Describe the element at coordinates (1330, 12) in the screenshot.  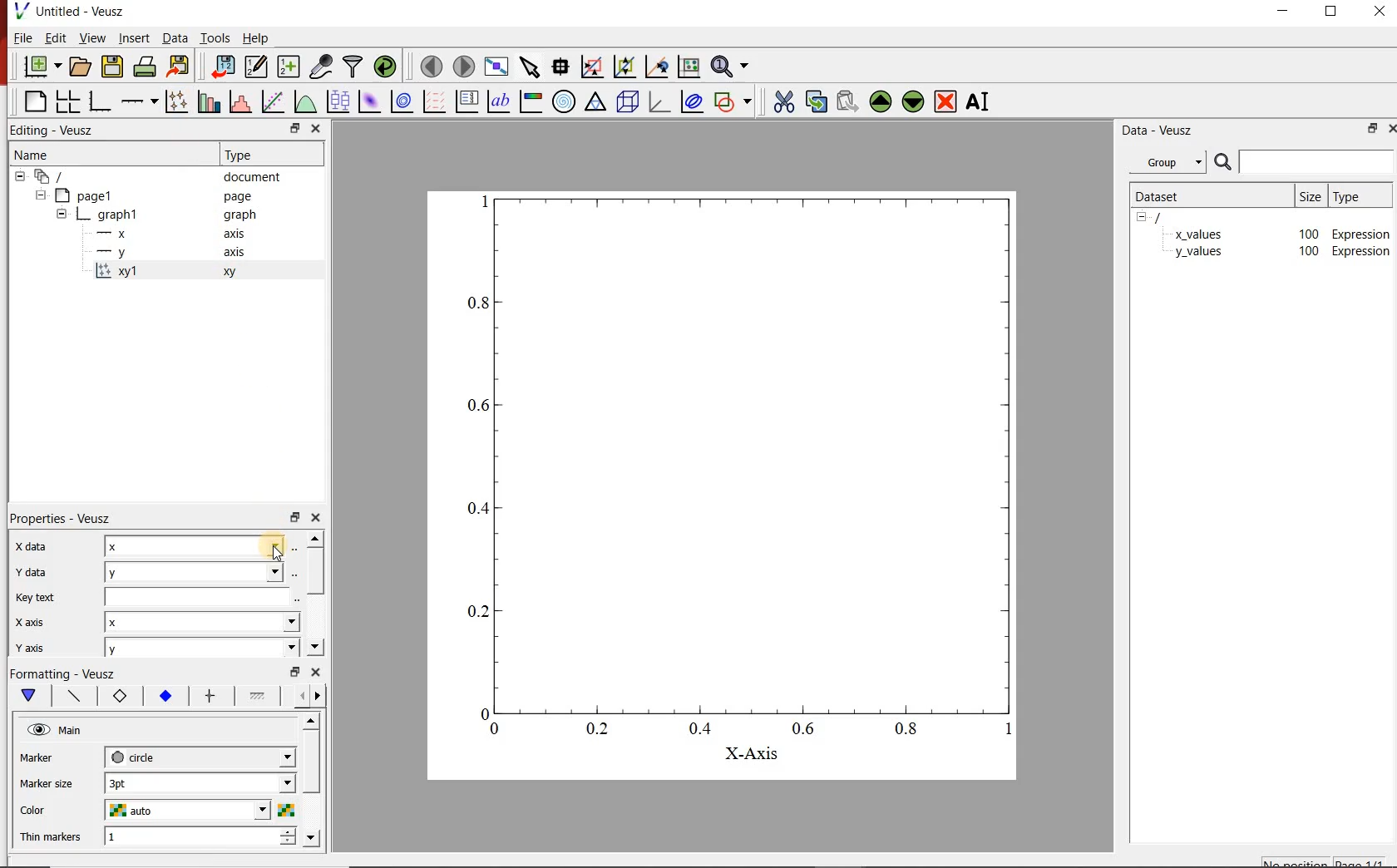
I see `restore down` at that location.